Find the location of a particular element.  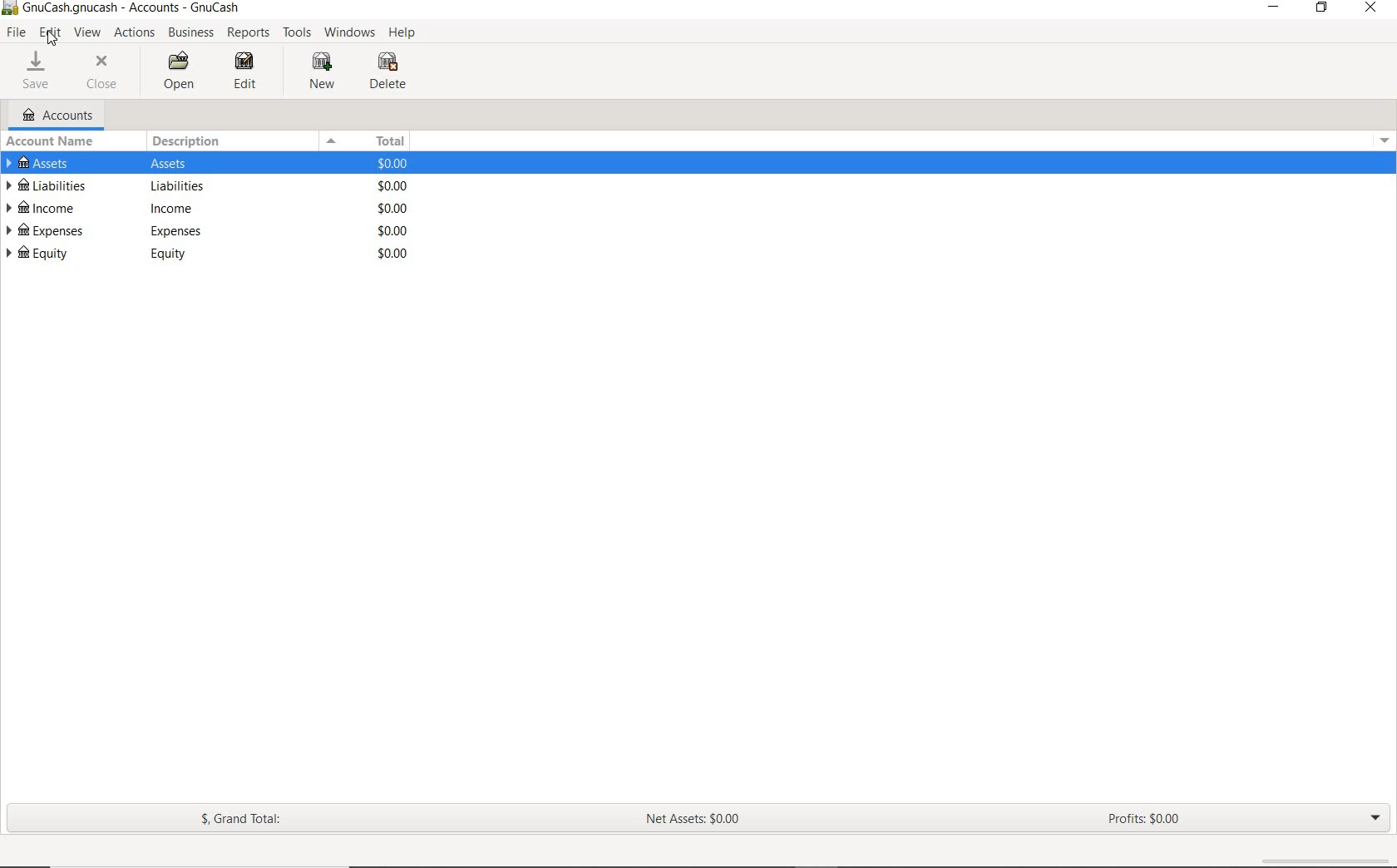

NET ASSETS is located at coordinates (694, 820).